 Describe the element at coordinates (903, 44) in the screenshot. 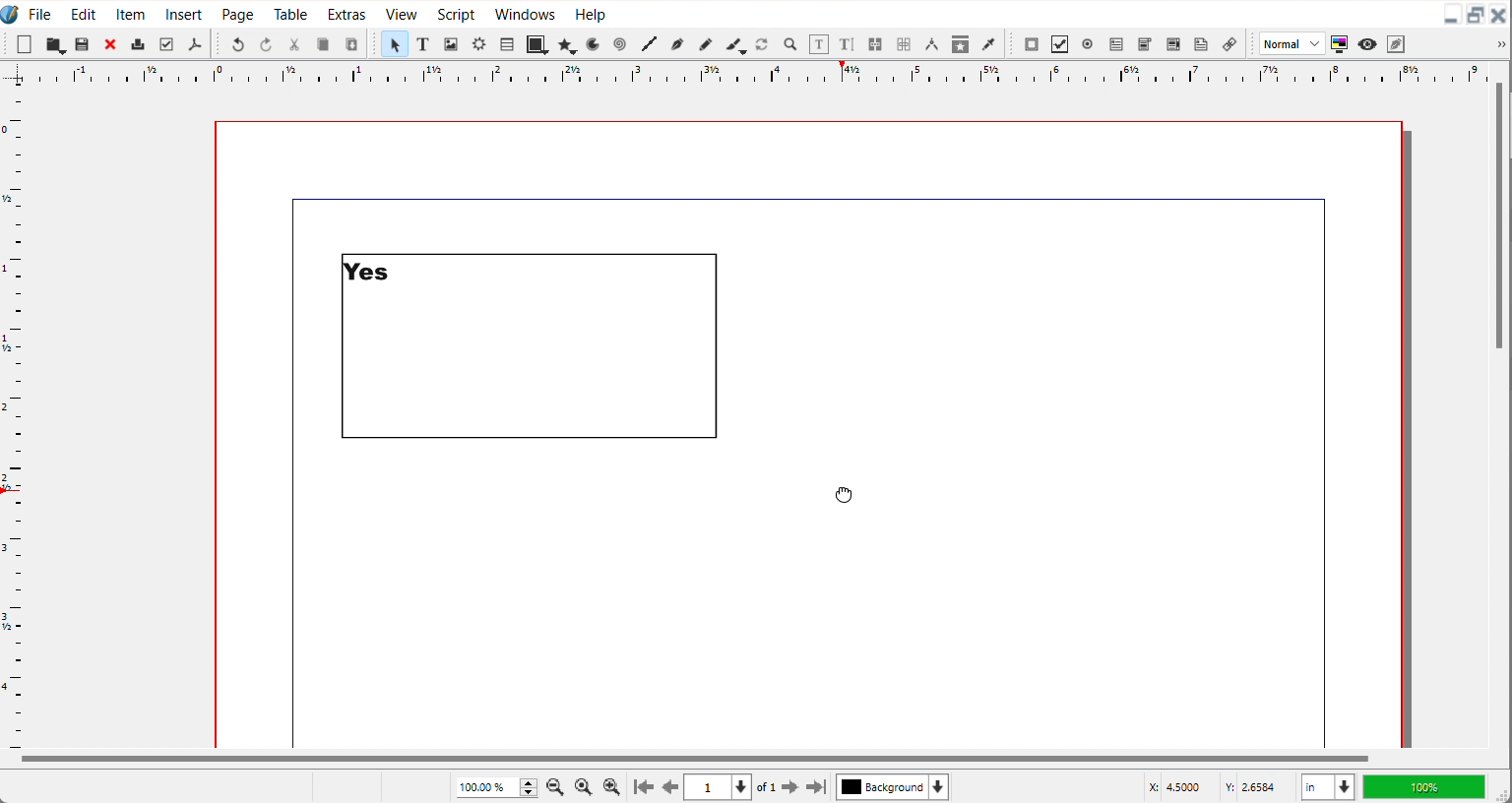

I see `Unlink text frame` at that location.